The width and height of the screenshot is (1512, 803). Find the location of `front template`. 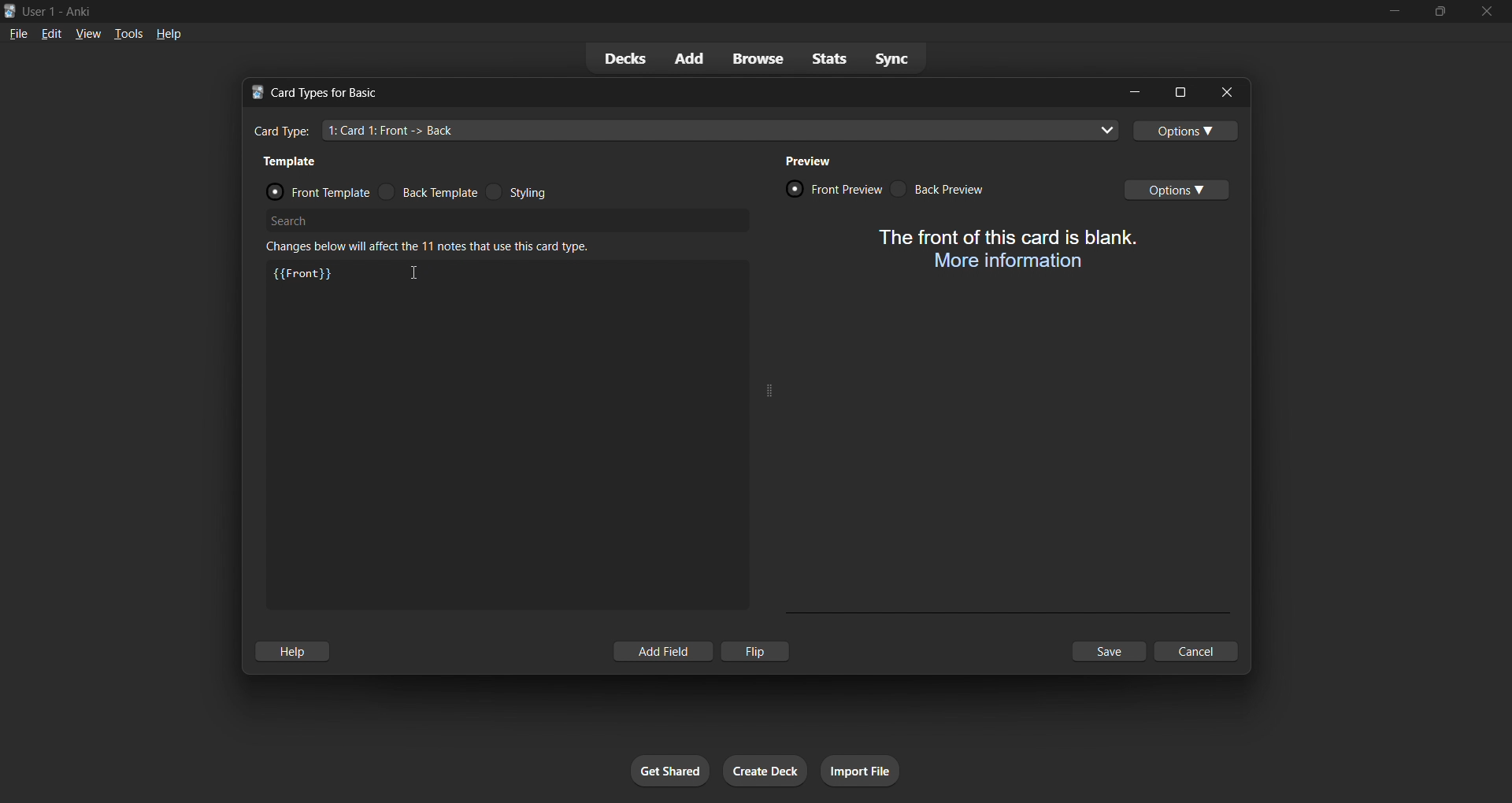

front template is located at coordinates (310, 187).